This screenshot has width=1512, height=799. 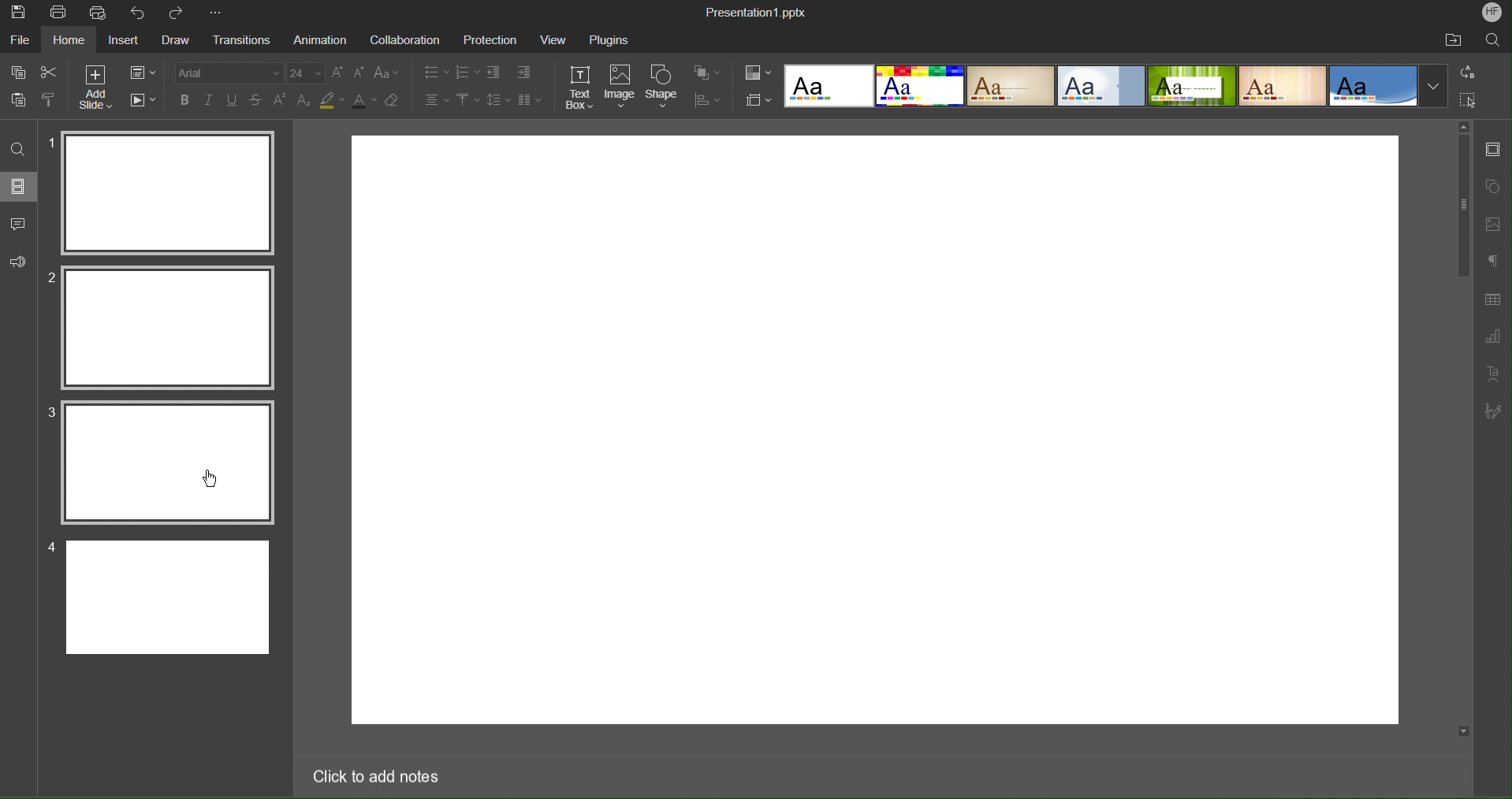 What do you see at coordinates (281, 101) in the screenshot?
I see `superscript` at bounding box center [281, 101].